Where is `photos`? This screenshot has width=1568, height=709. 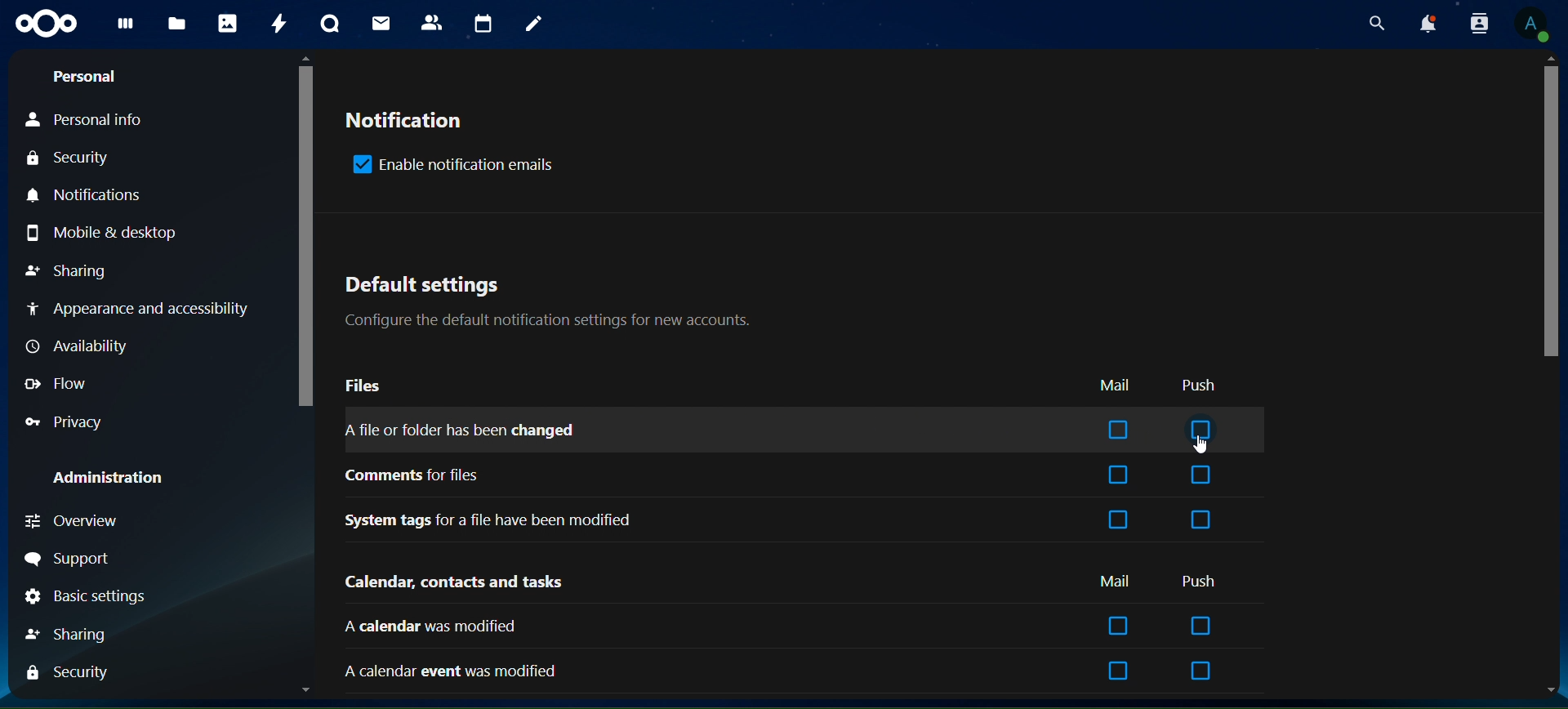
photos is located at coordinates (226, 25).